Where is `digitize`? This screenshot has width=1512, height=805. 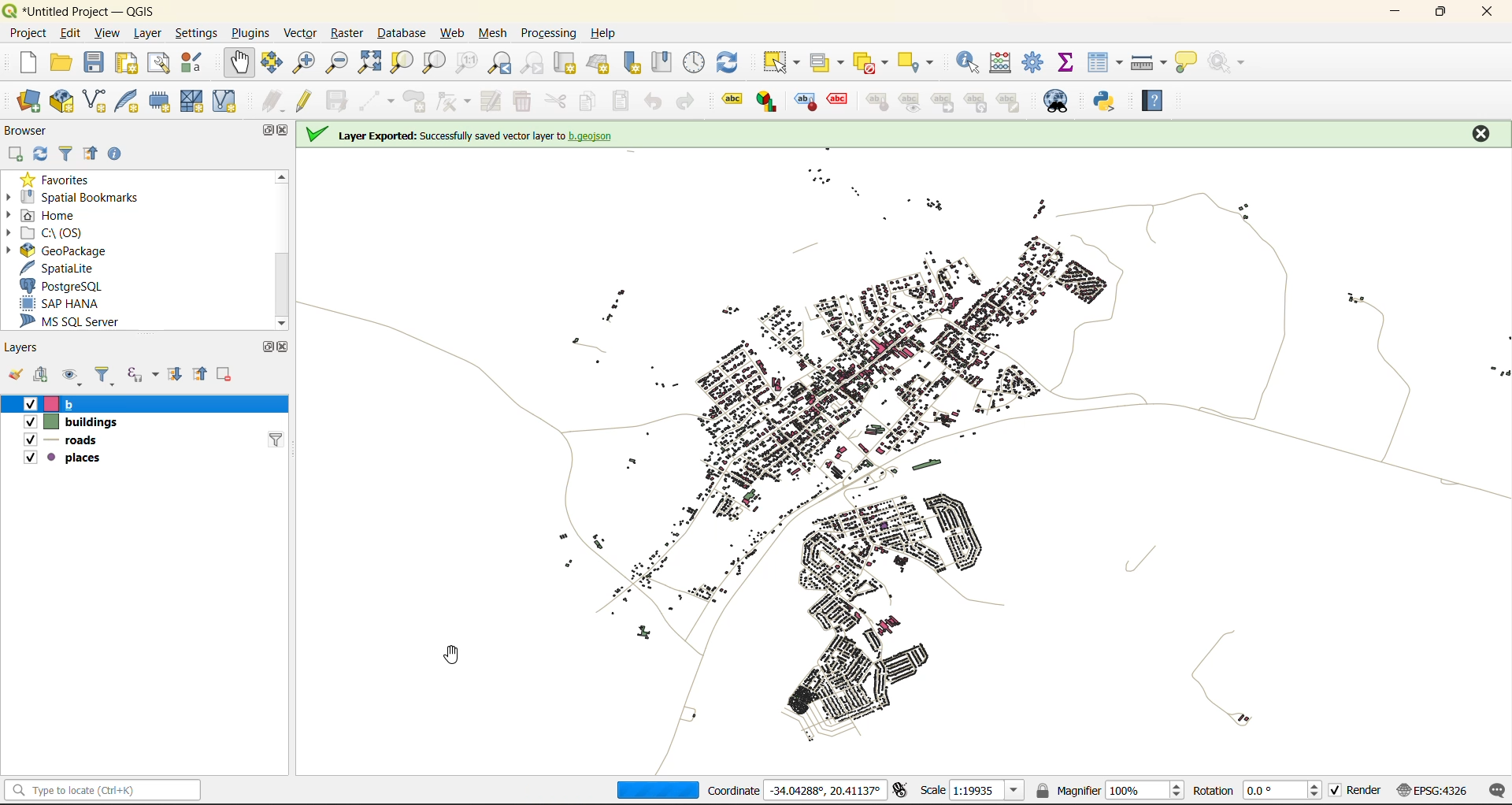
digitize is located at coordinates (377, 101).